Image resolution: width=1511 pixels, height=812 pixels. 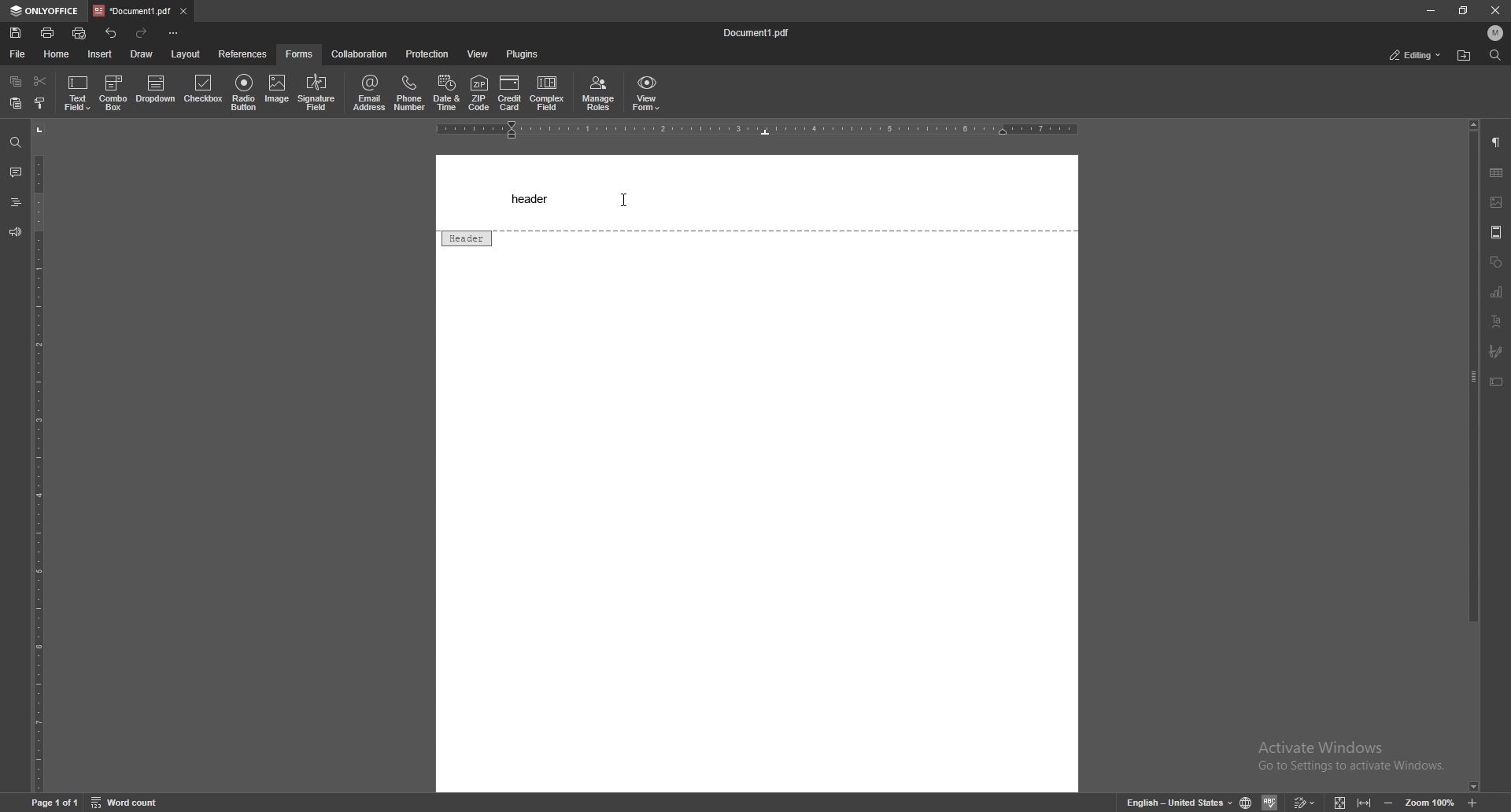 What do you see at coordinates (36, 459) in the screenshot?
I see `vertical scale` at bounding box center [36, 459].